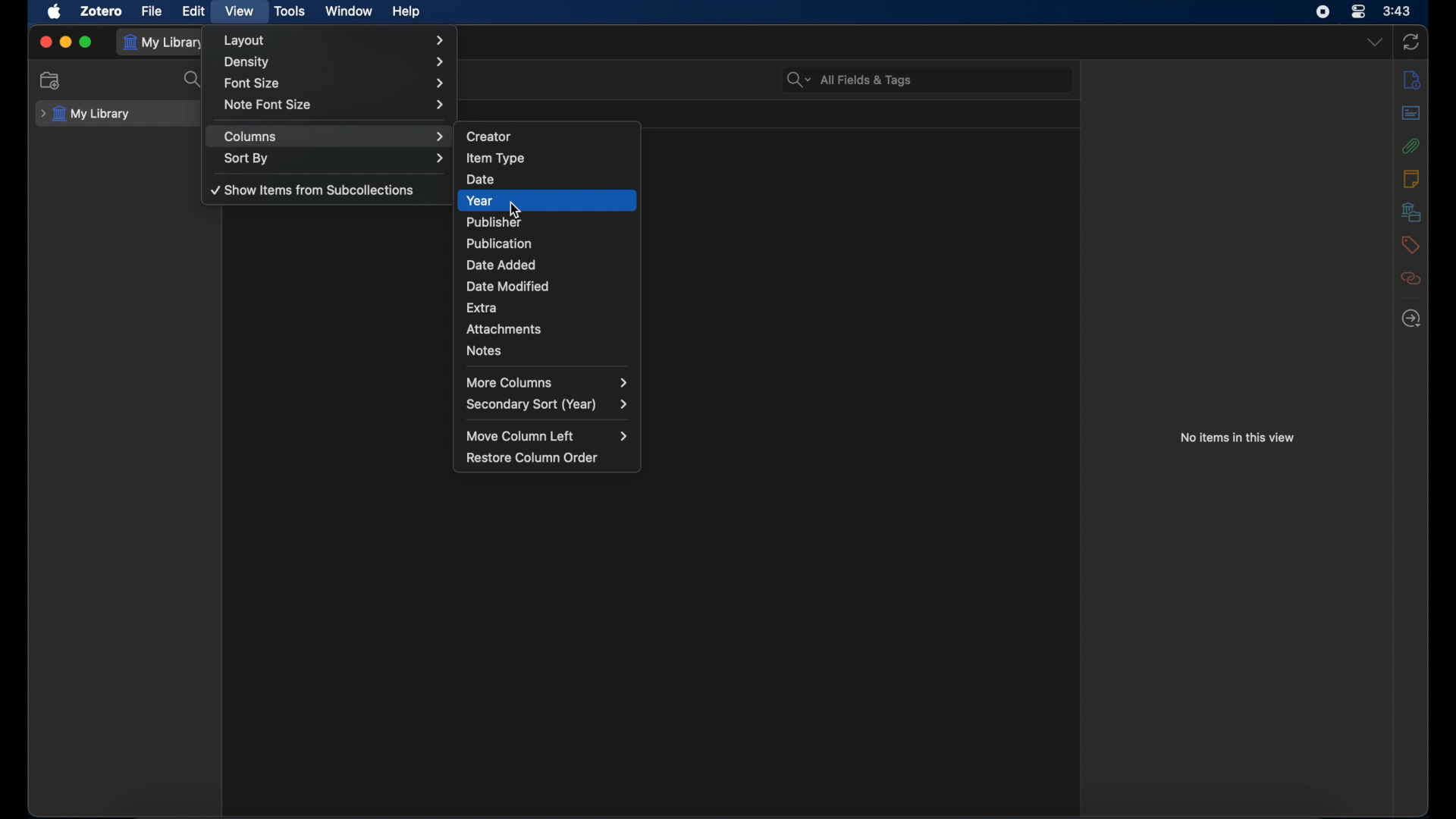 Image resolution: width=1456 pixels, height=819 pixels. What do you see at coordinates (552, 136) in the screenshot?
I see `creator` at bounding box center [552, 136].